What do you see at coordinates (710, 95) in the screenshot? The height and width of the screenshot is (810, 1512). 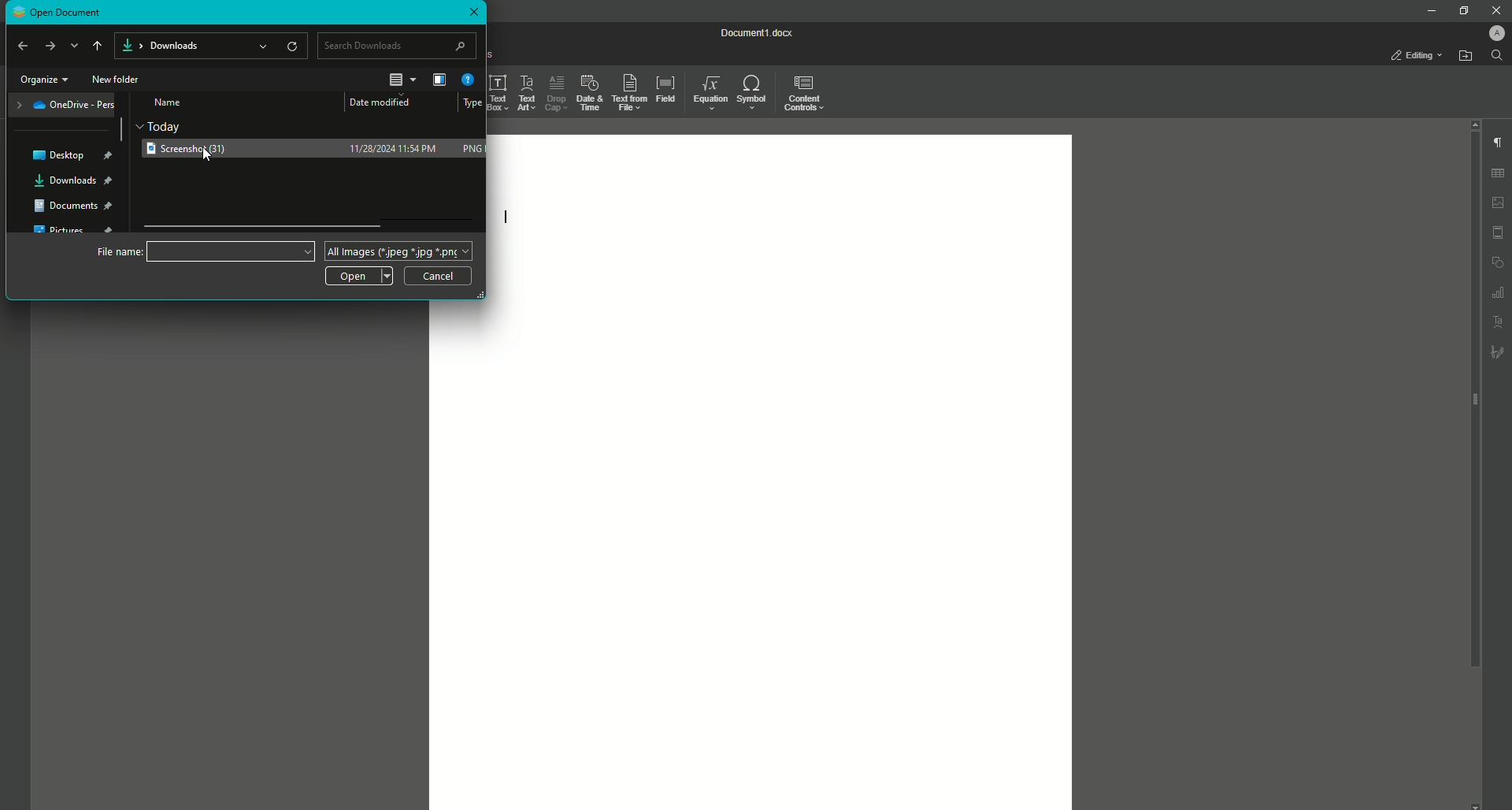 I see `Equation` at bounding box center [710, 95].